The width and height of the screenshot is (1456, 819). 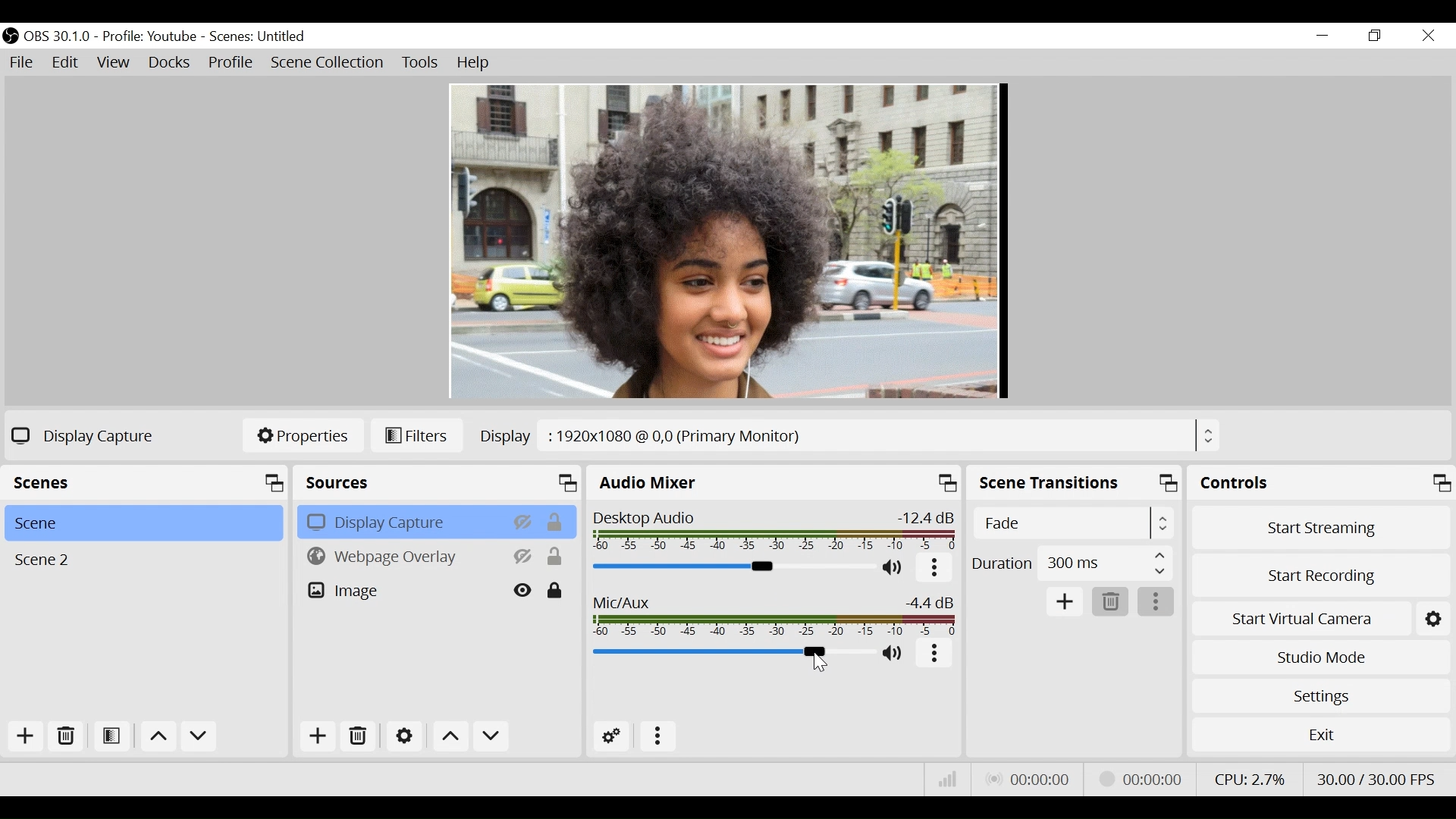 I want to click on Delete, so click(x=360, y=736).